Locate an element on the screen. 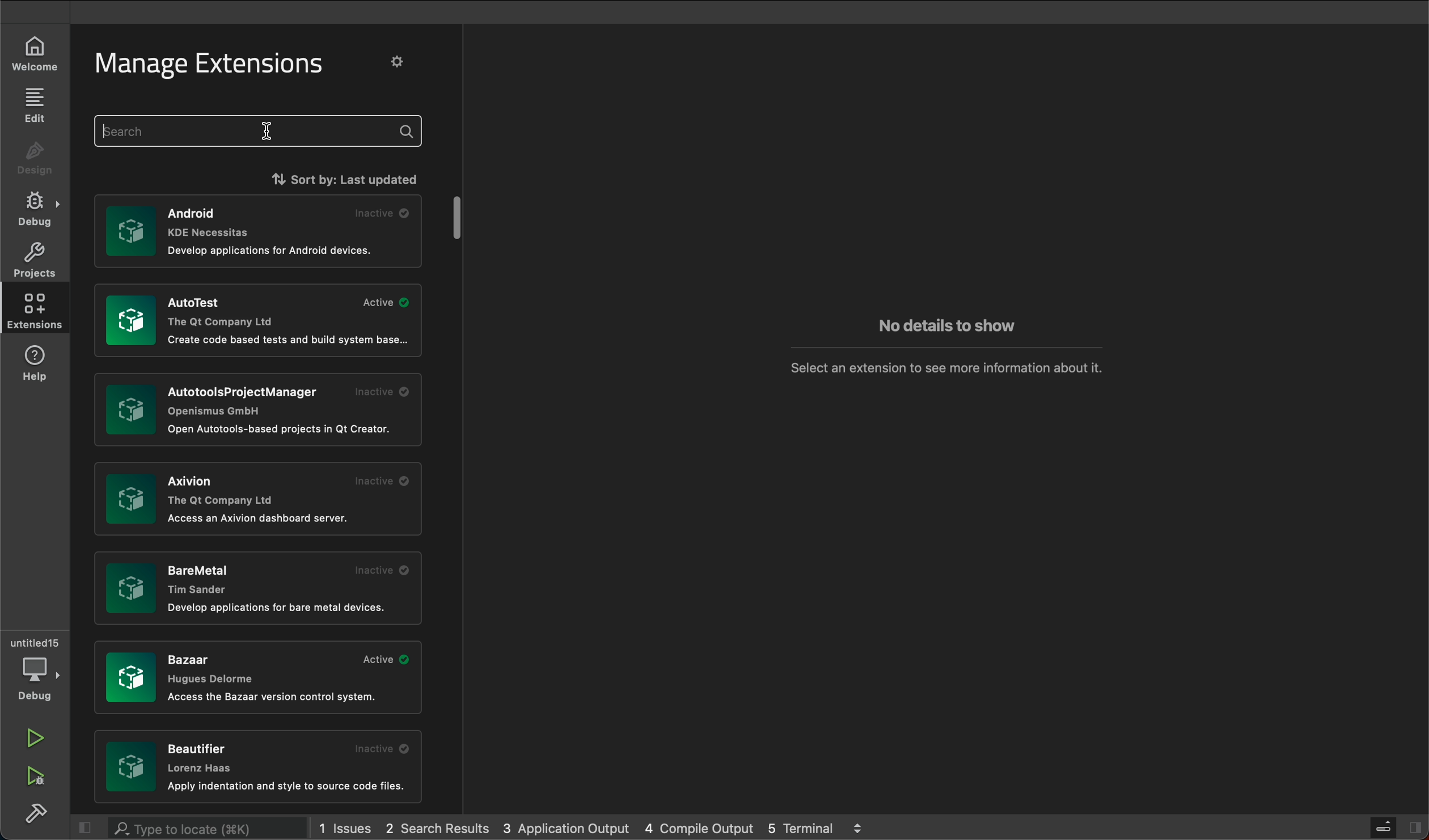 This screenshot has width=1429, height=840. extension text is located at coordinates (274, 250).